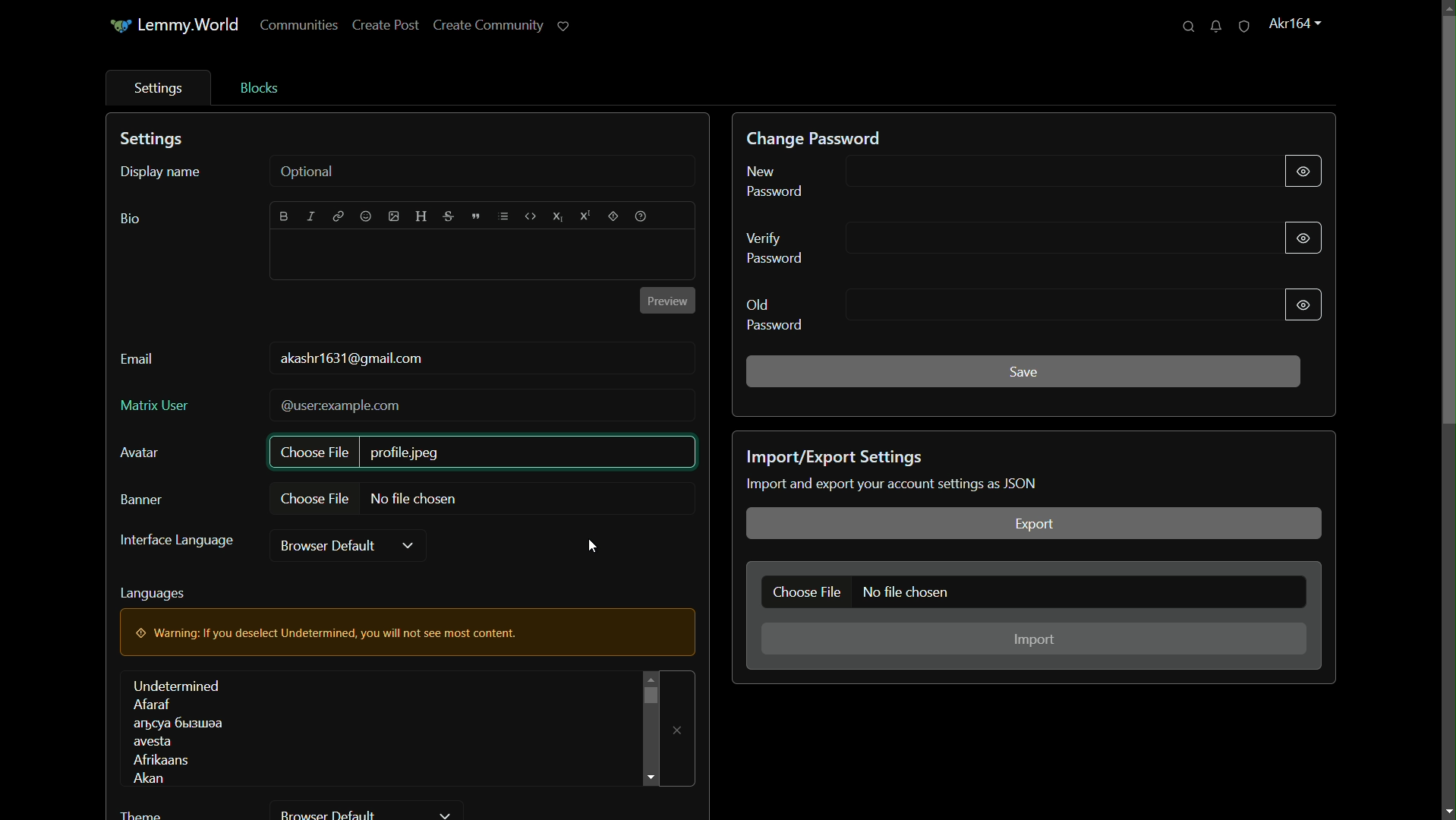  What do you see at coordinates (648, 695) in the screenshot?
I see `scroll bar` at bounding box center [648, 695].